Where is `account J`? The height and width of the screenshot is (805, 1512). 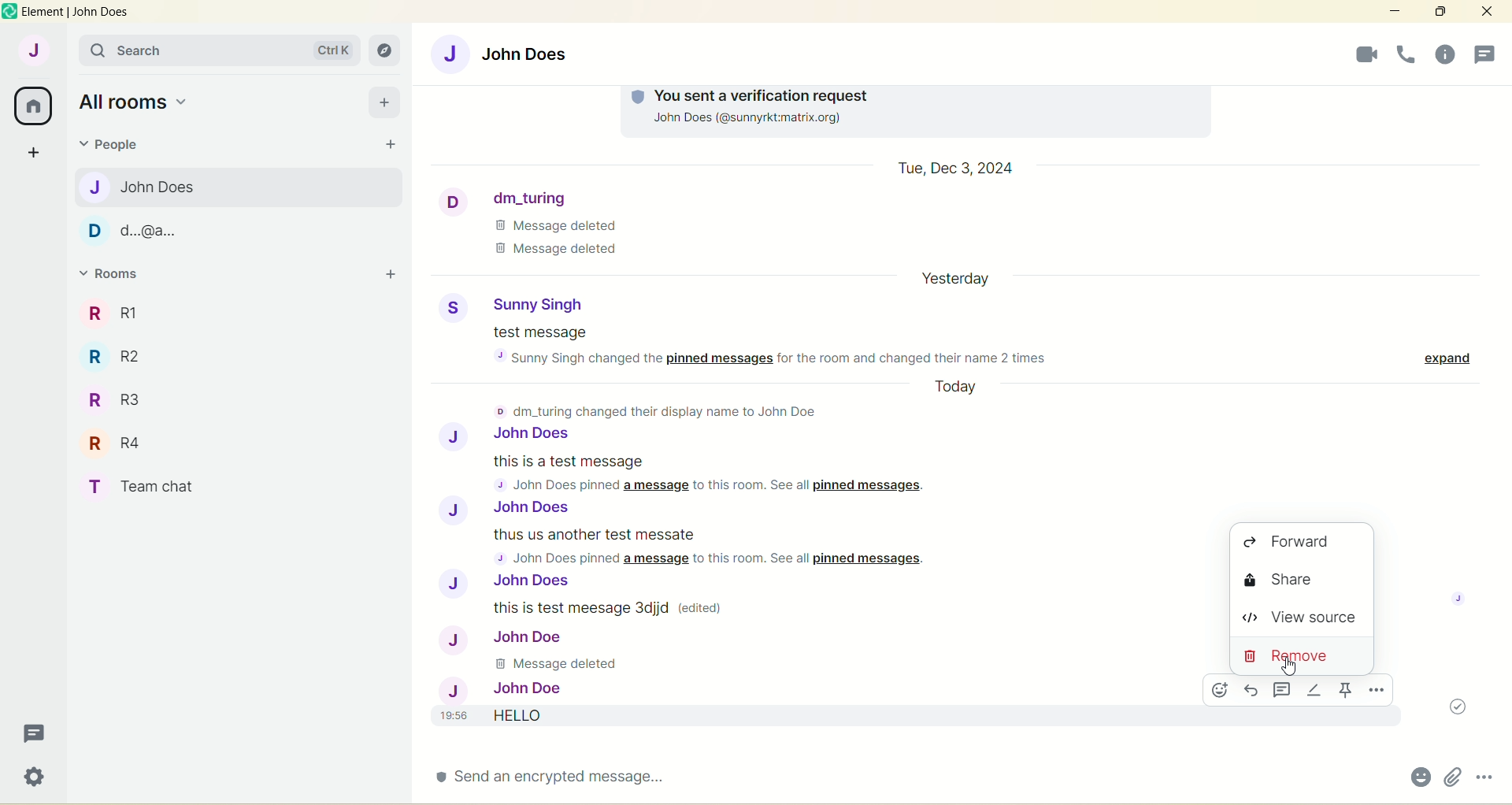 account J is located at coordinates (31, 51).